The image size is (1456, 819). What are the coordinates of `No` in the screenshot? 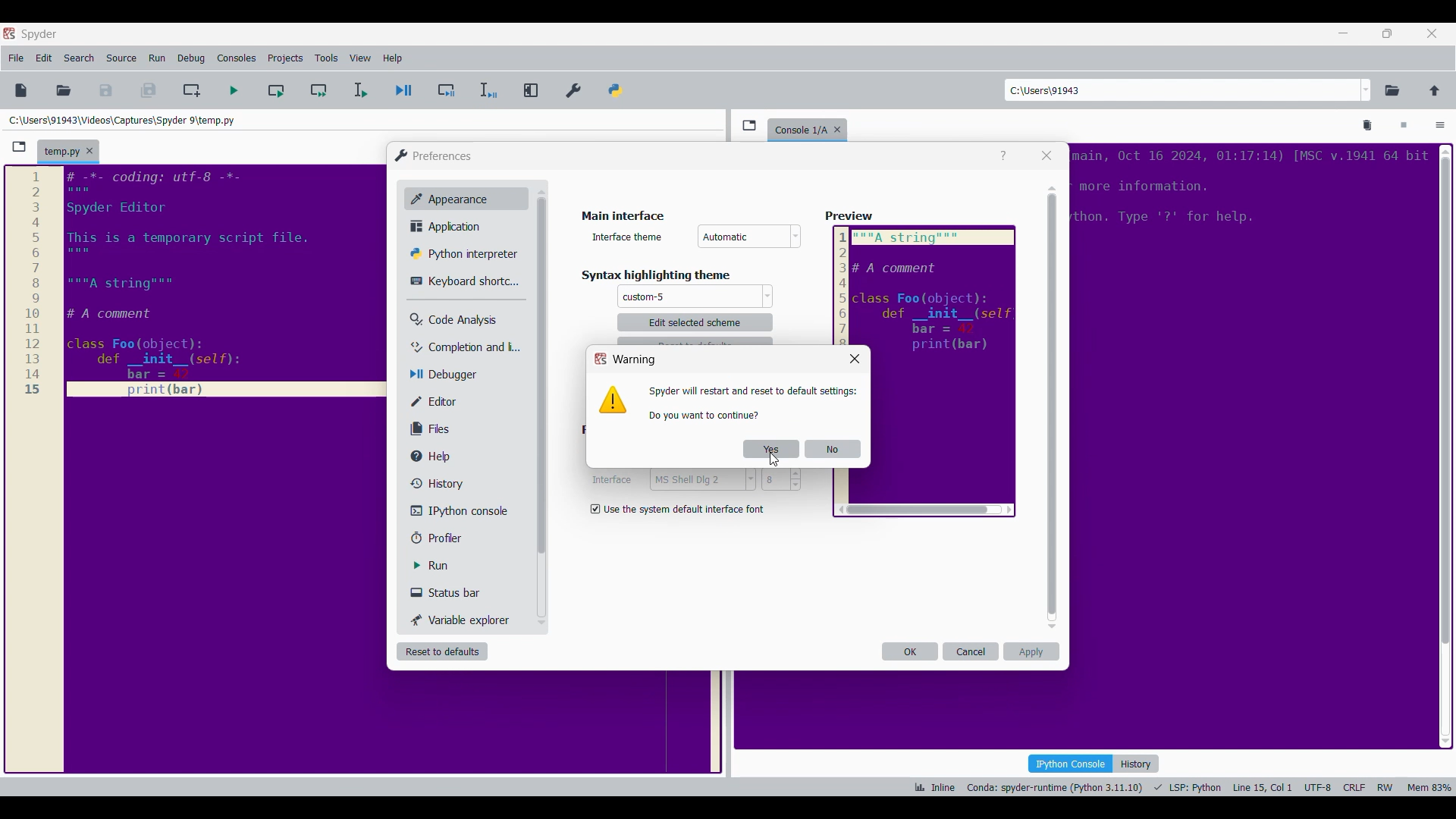 It's located at (833, 448).